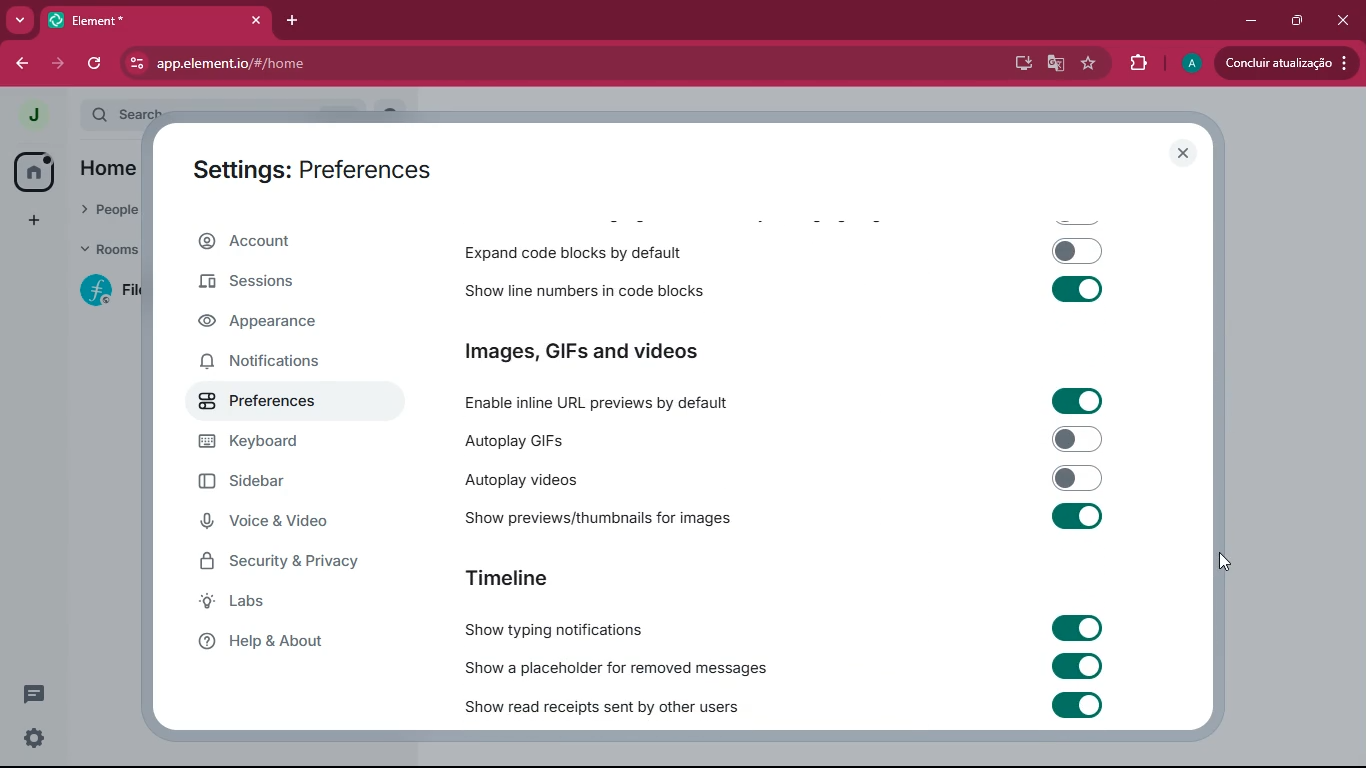 This screenshot has height=768, width=1366. Describe the element at coordinates (19, 66) in the screenshot. I see `back` at that location.